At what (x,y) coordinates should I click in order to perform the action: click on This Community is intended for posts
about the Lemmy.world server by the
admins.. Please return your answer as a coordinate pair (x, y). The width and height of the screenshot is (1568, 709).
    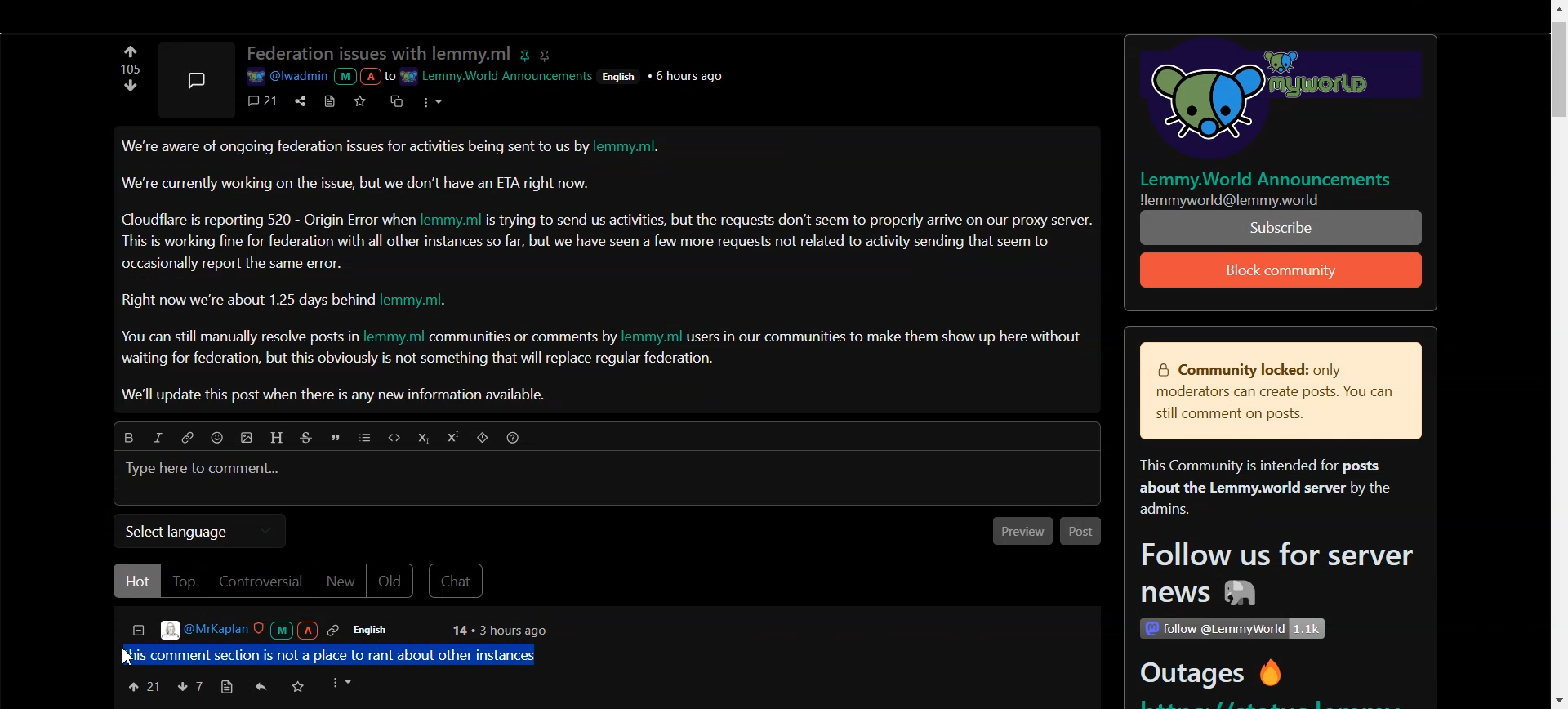
    Looking at the image, I should click on (1258, 488).